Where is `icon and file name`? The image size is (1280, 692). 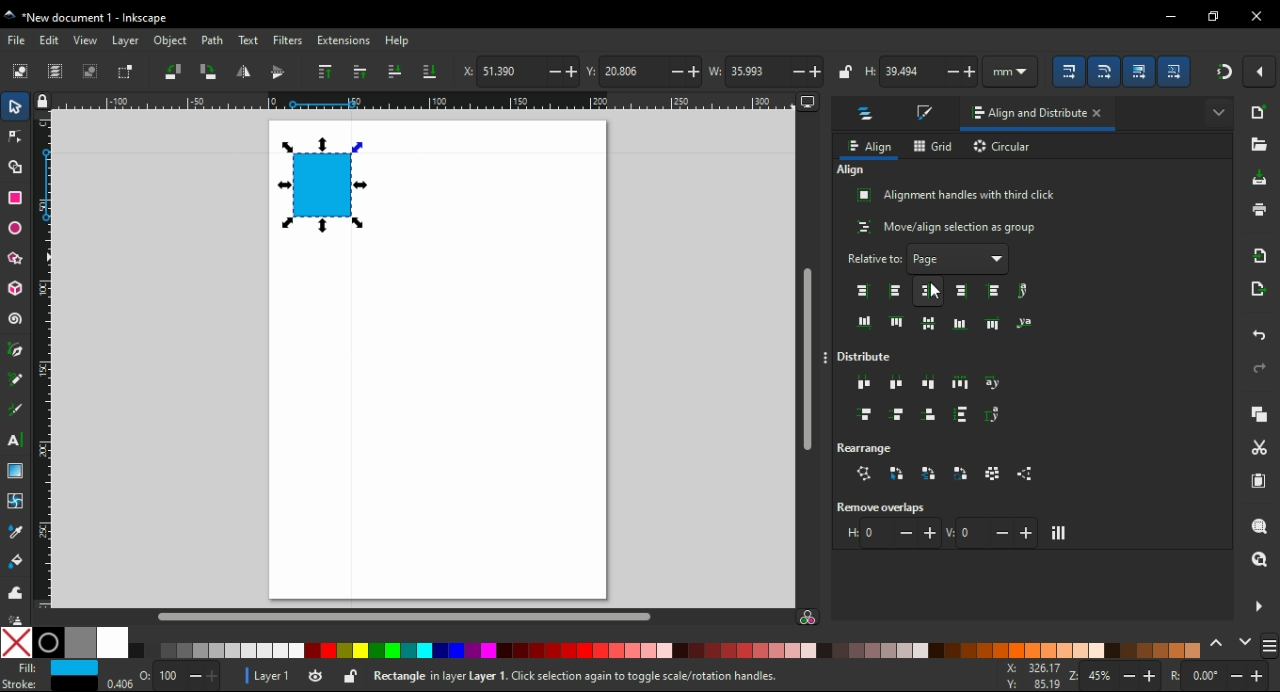 icon and file name is located at coordinates (92, 18).